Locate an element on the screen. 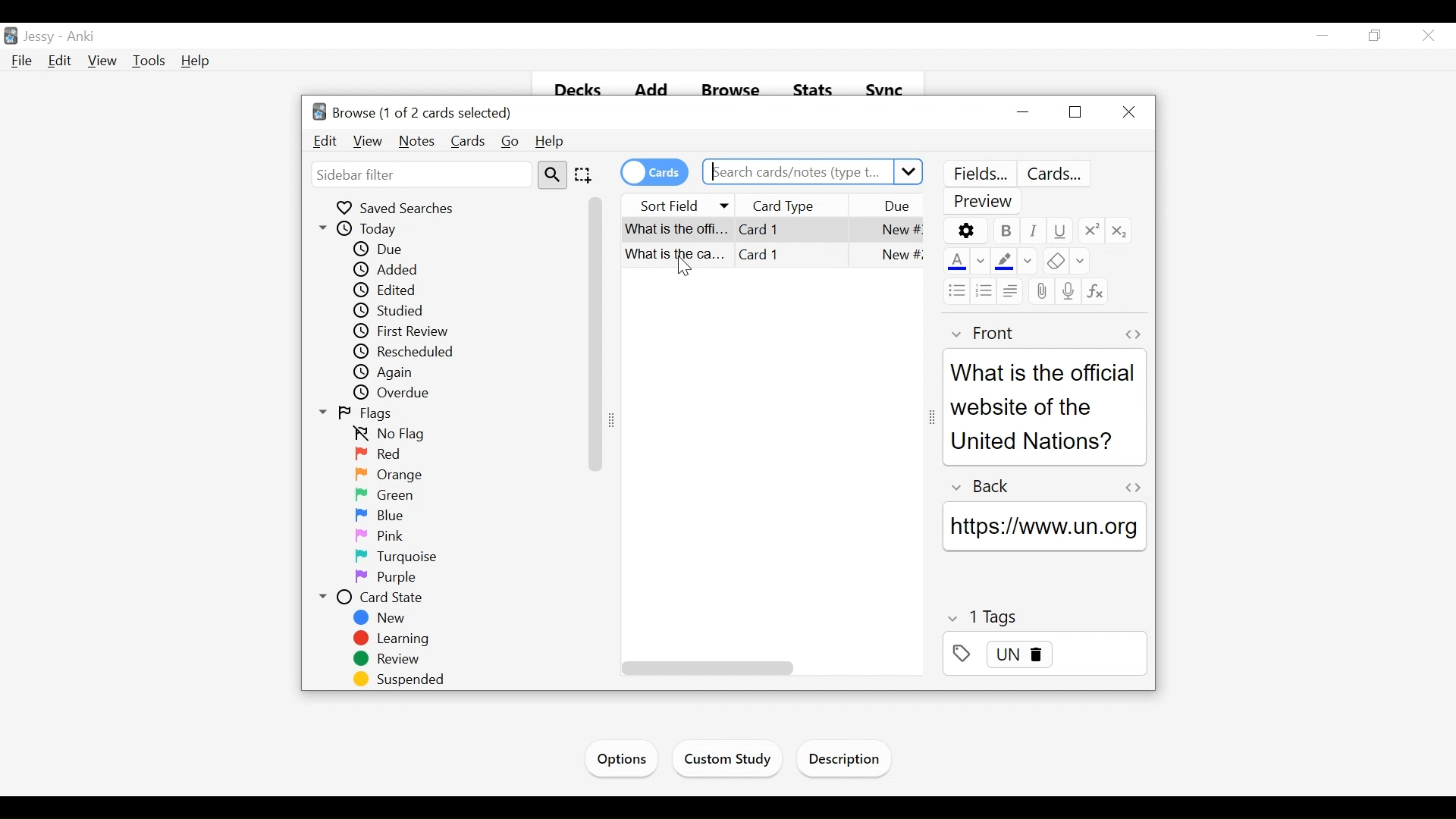 The width and height of the screenshot is (1456, 819). Green is located at coordinates (383, 494).